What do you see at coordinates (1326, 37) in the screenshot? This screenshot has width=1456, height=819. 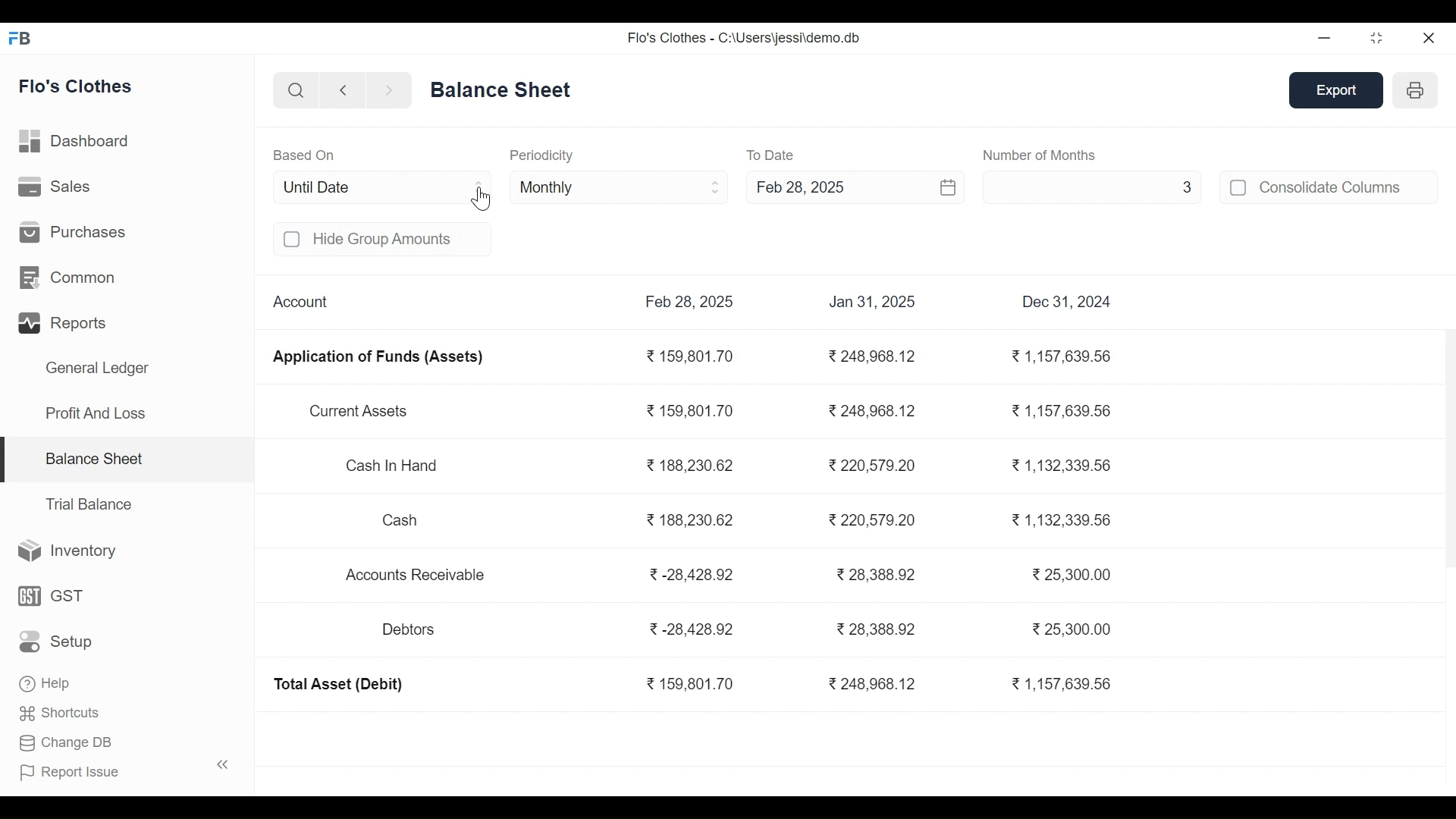 I see `minimise` at bounding box center [1326, 37].